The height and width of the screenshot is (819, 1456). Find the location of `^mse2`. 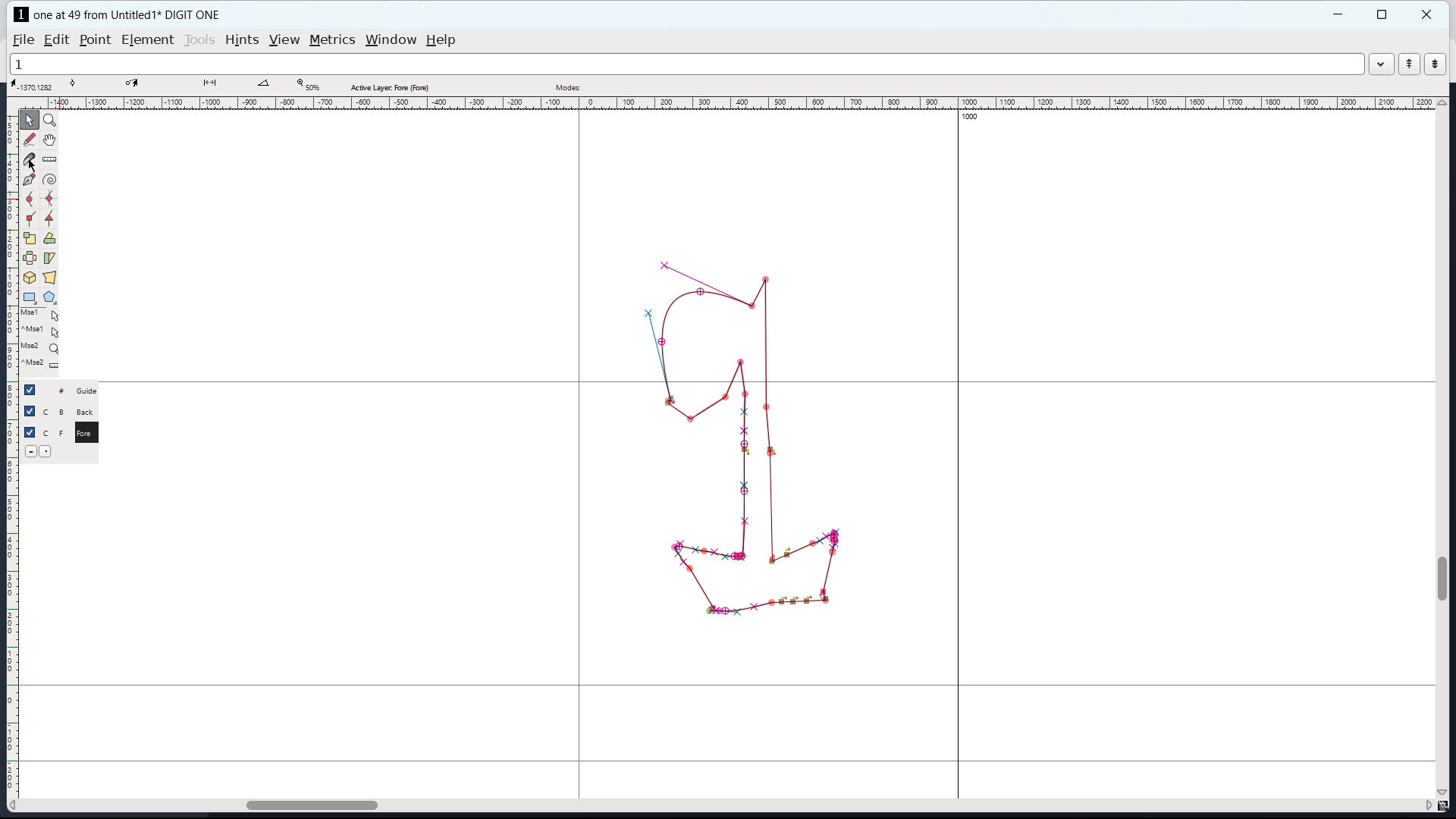

^mse2 is located at coordinates (42, 365).